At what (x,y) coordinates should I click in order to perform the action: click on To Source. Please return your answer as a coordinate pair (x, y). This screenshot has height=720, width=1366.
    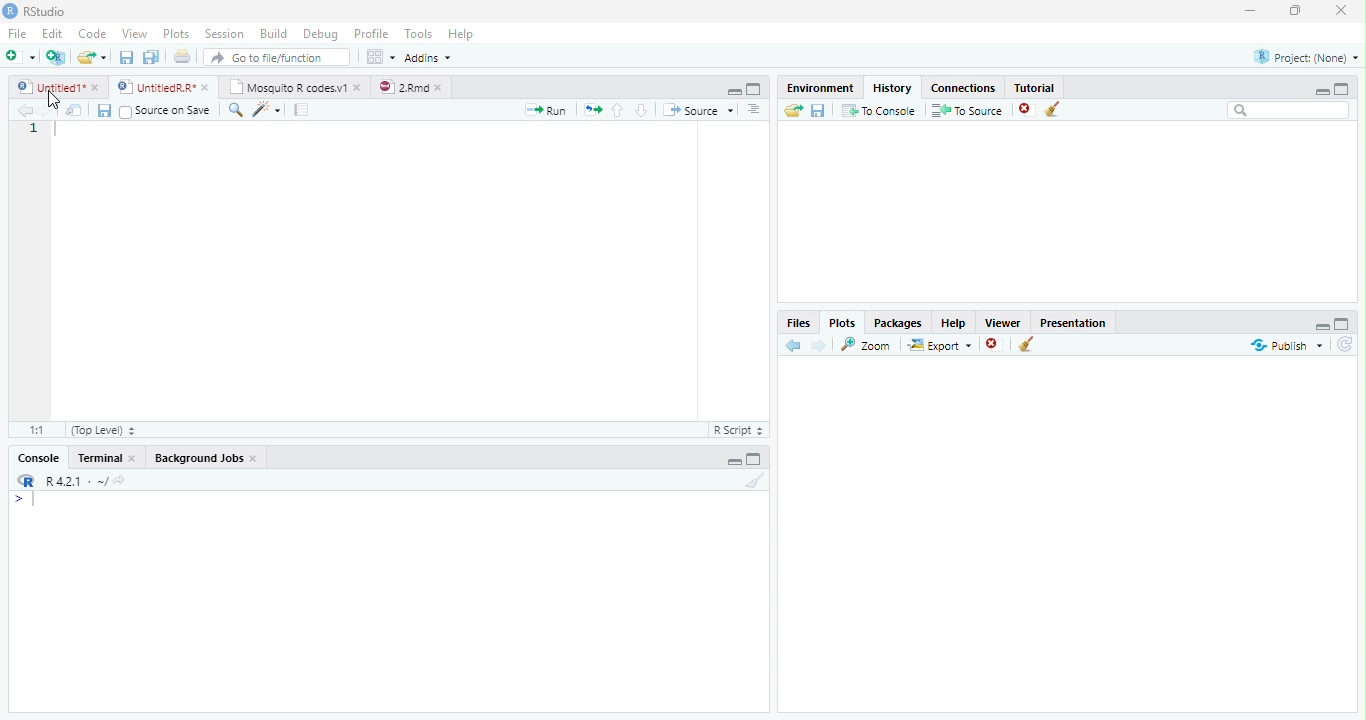
    Looking at the image, I should click on (967, 110).